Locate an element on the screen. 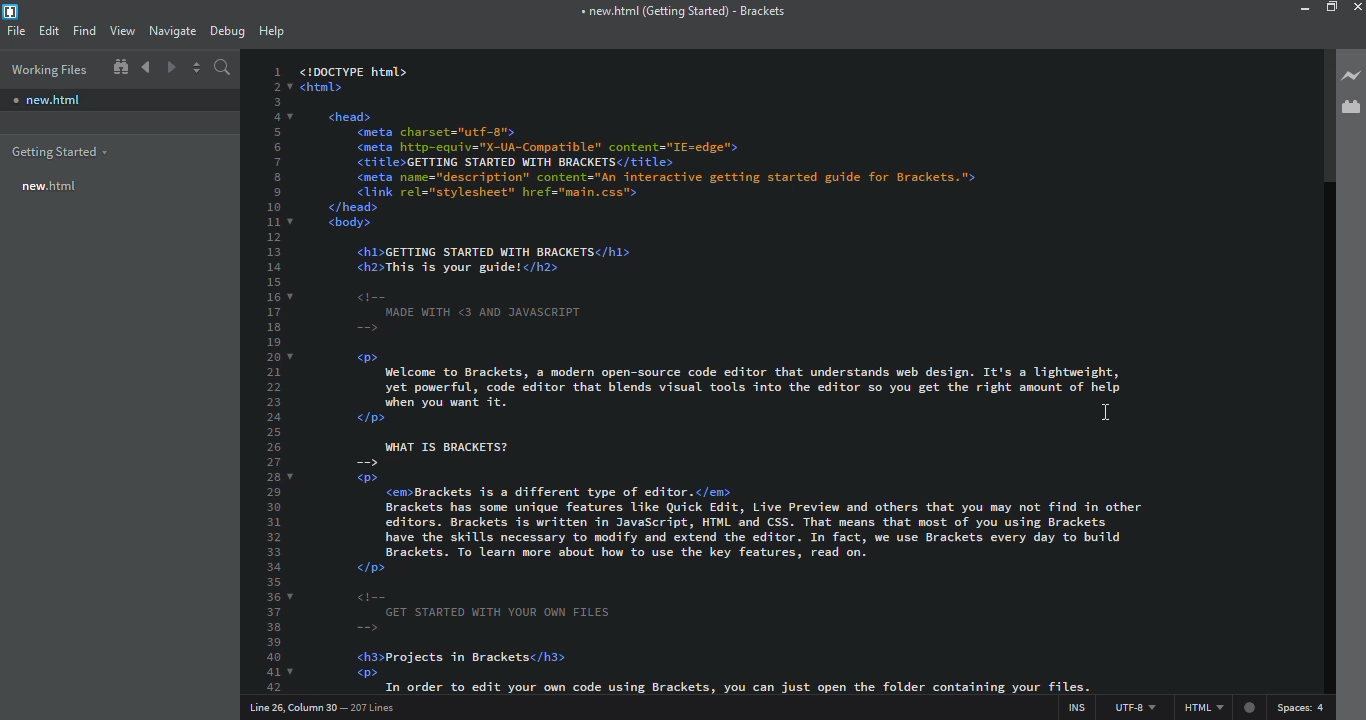 Image resolution: width=1366 pixels, height=720 pixels. search is located at coordinates (223, 68).